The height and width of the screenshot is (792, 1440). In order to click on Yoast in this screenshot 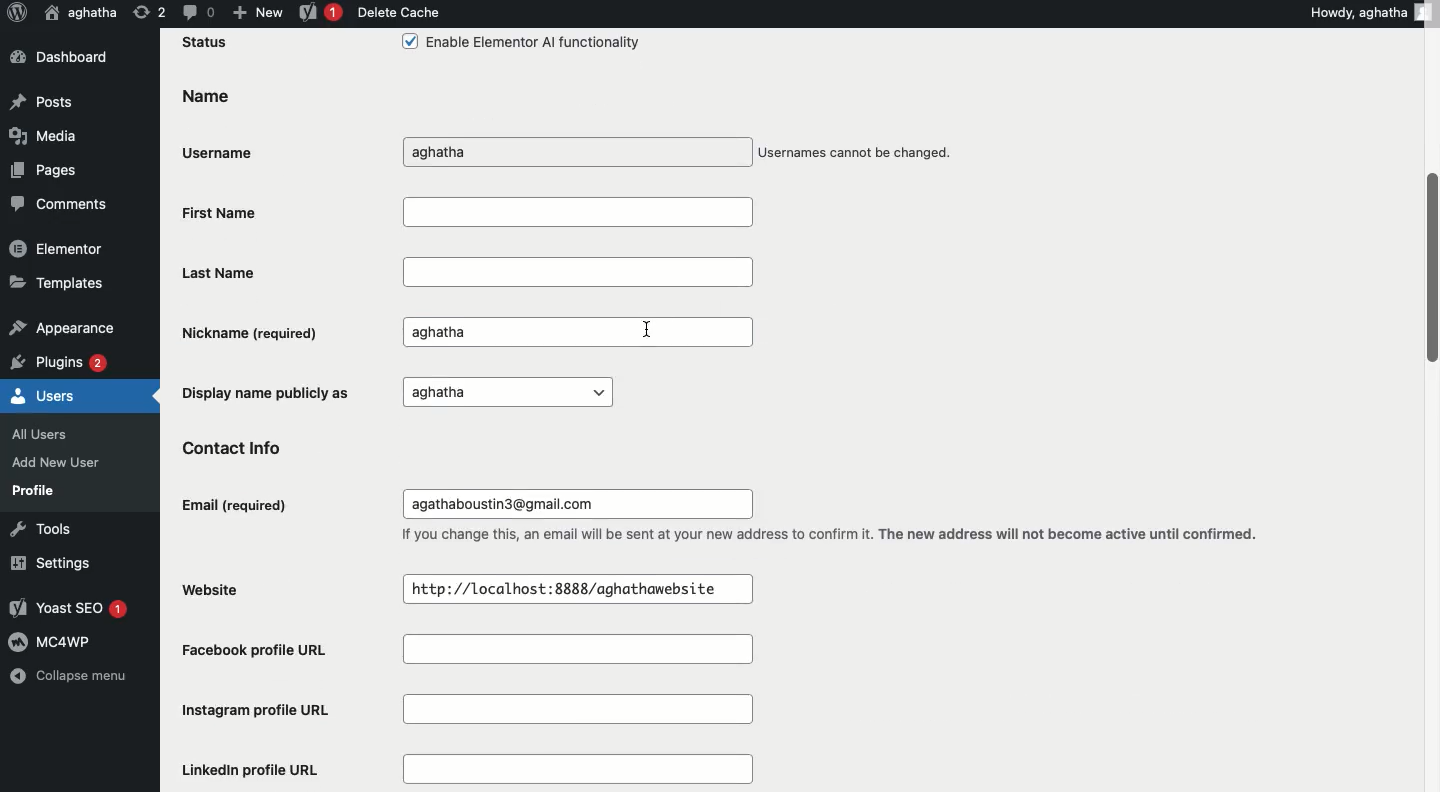, I will do `click(321, 14)`.